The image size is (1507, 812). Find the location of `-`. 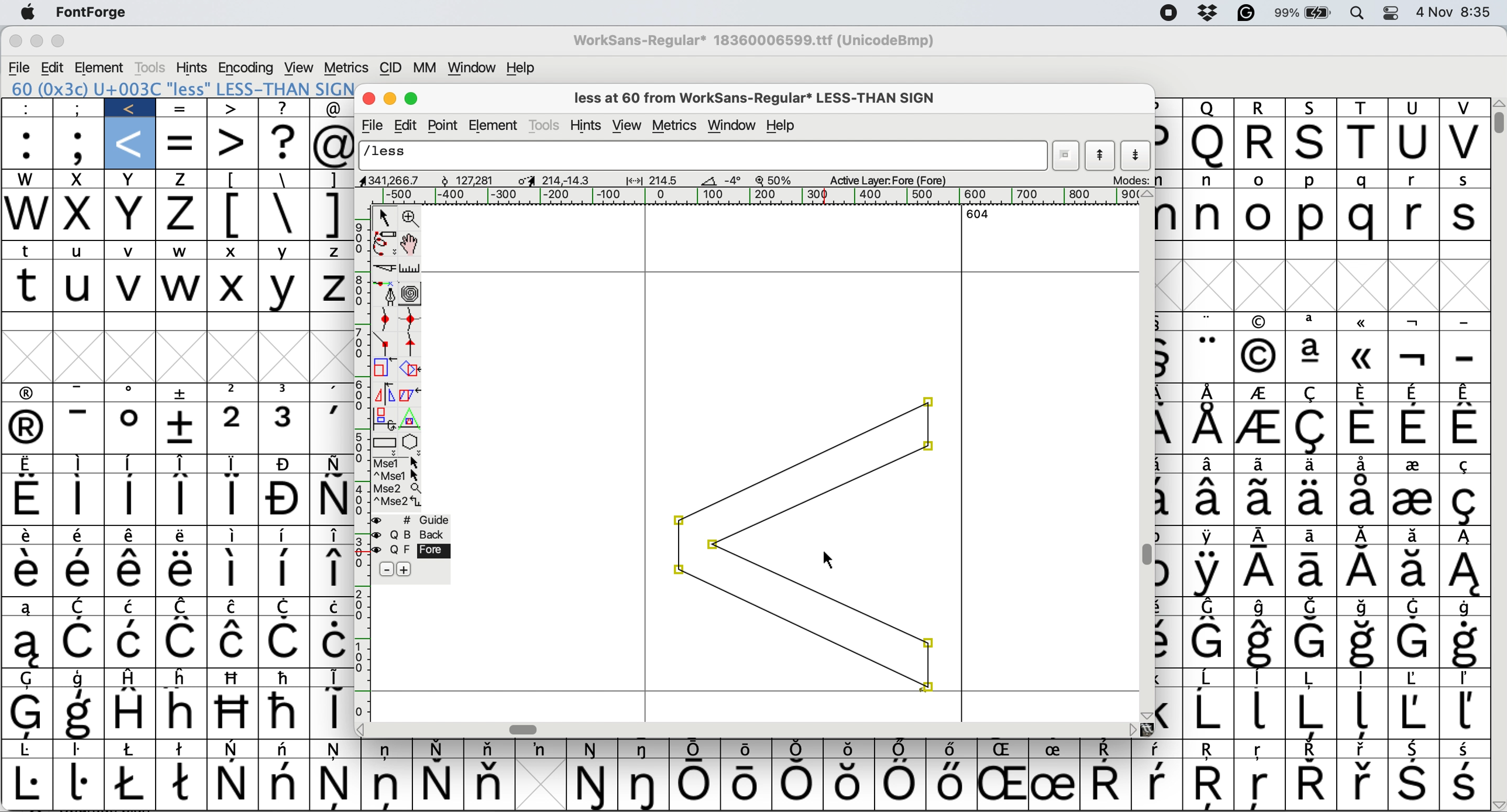

- is located at coordinates (1465, 357).